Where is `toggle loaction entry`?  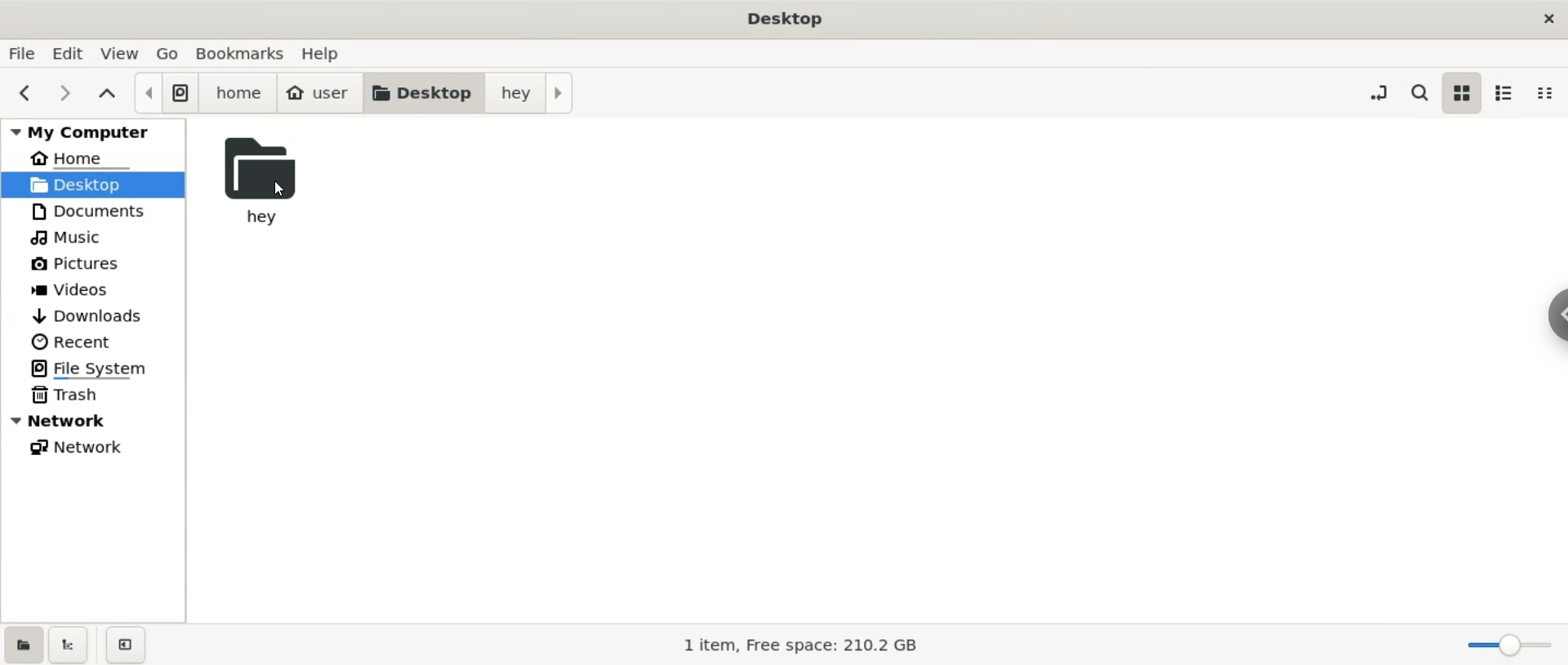 toggle loaction entry is located at coordinates (1382, 91).